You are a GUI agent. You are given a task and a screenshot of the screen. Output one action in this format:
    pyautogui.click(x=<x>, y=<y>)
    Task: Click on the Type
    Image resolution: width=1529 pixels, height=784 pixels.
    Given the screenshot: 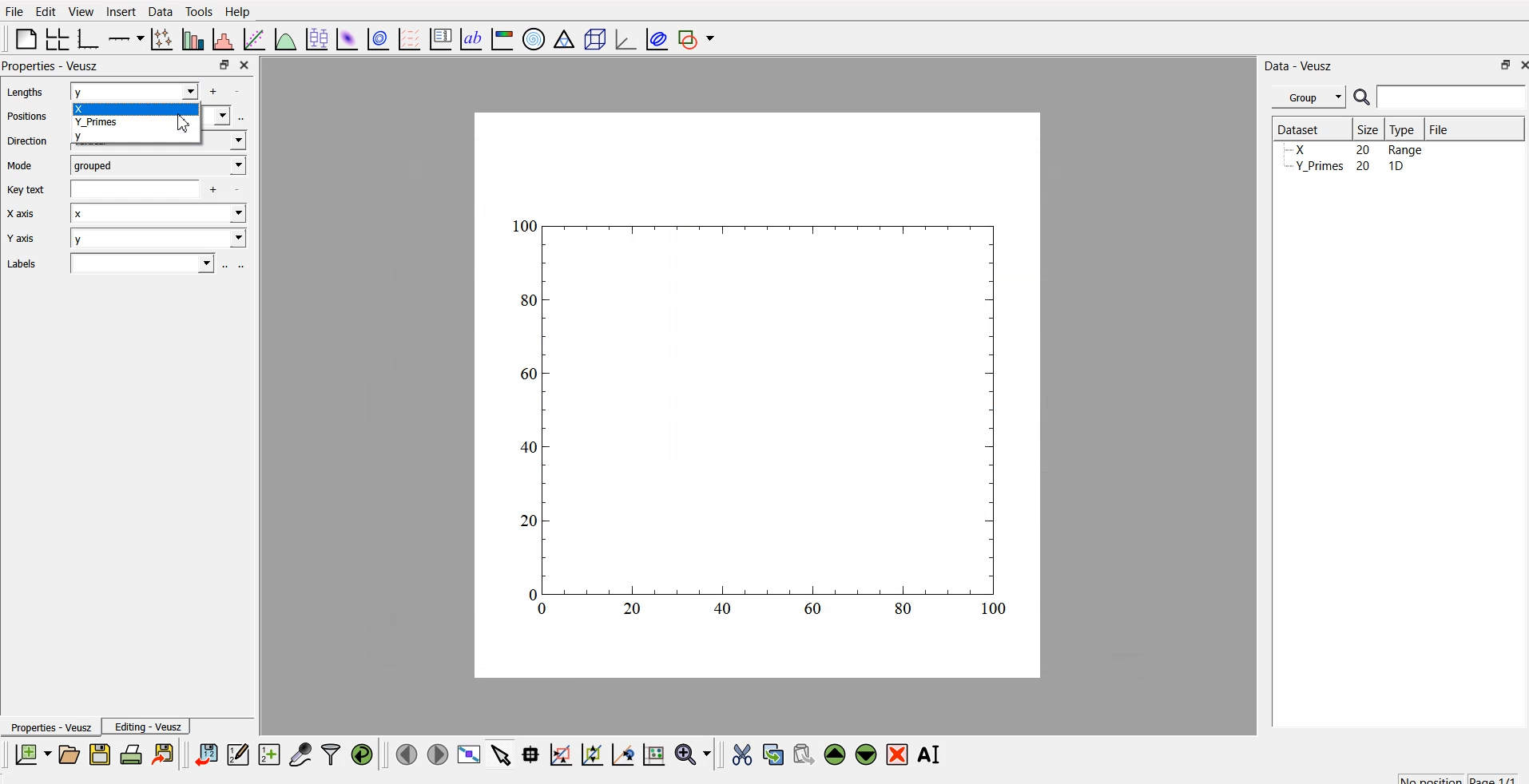 What is the action you would take?
    pyautogui.click(x=1406, y=129)
    